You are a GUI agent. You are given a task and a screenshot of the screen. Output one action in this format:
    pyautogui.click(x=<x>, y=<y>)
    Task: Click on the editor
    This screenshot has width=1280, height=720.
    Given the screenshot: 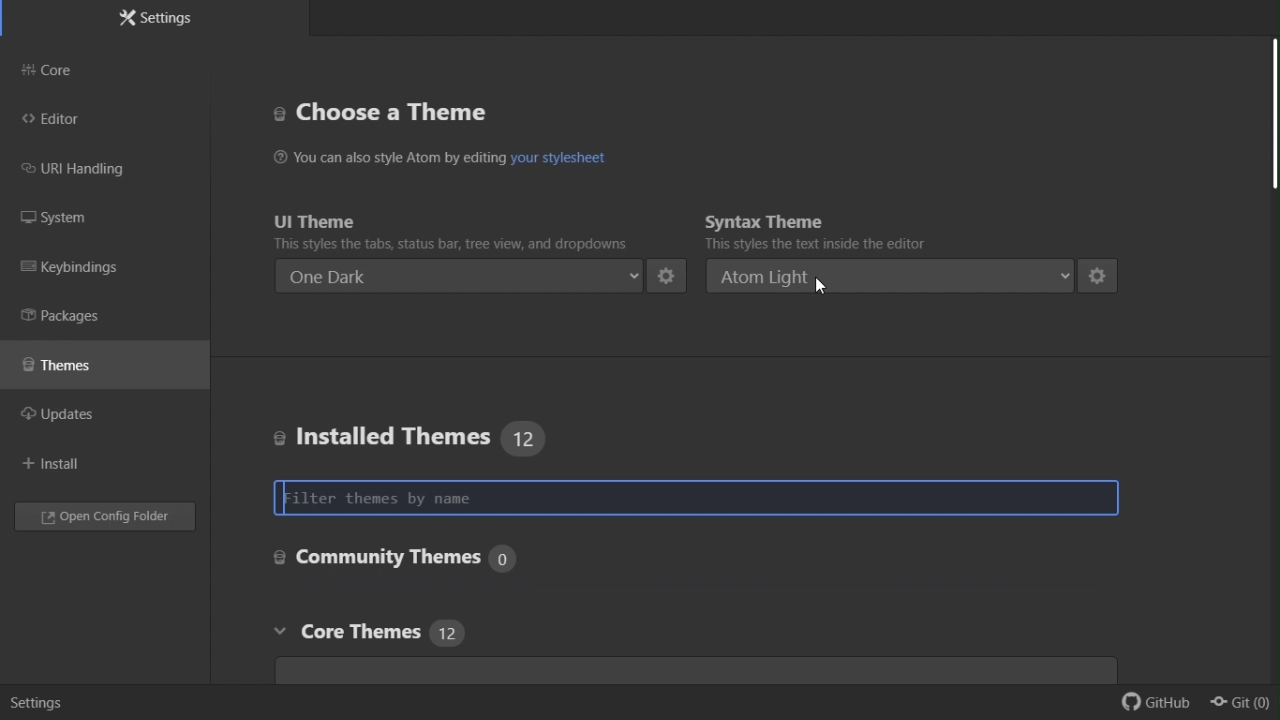 What is the action you would take?
    pyautogui.click(x=62, y=119)
    